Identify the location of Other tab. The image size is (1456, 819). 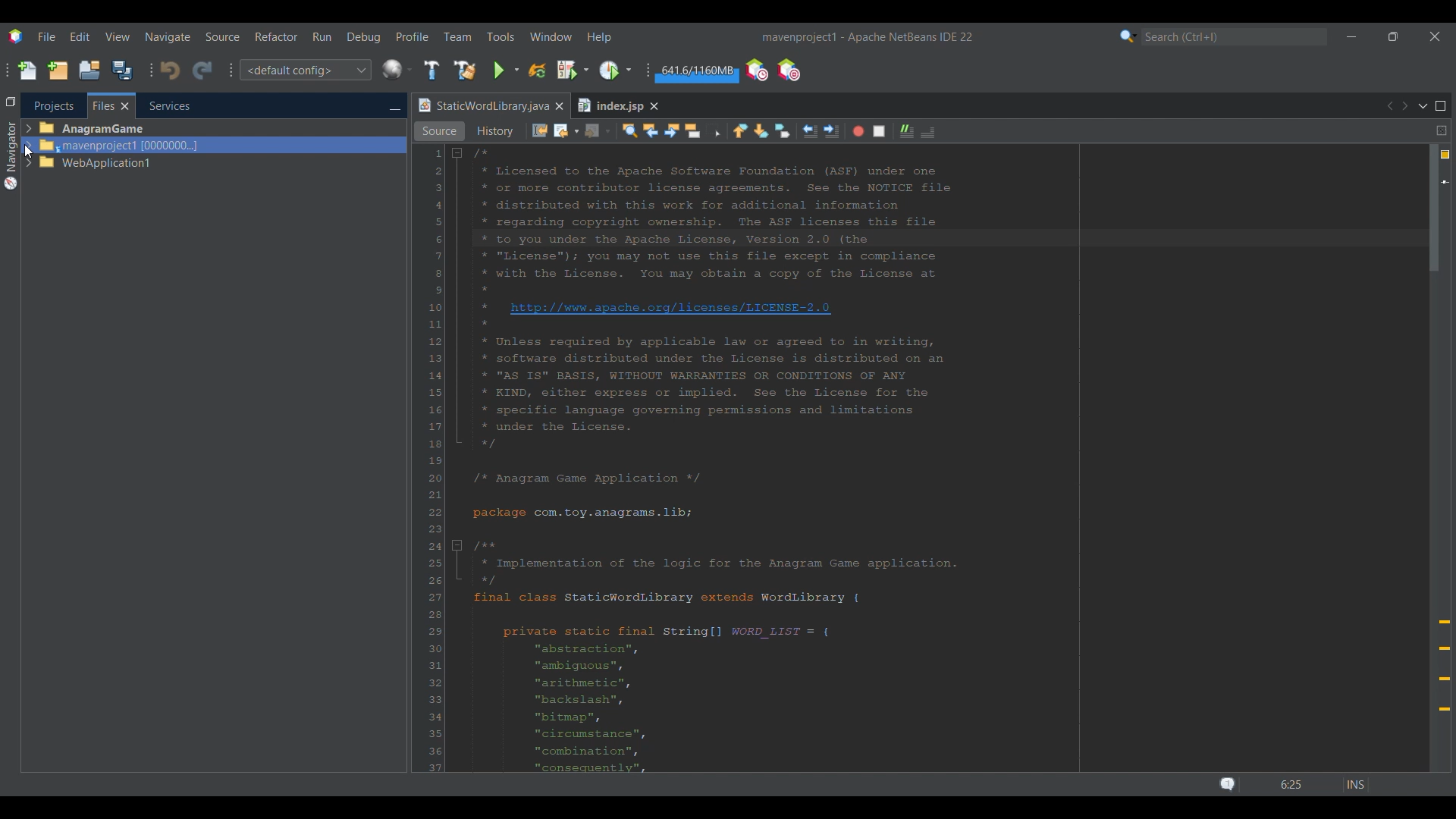
(617, 105).